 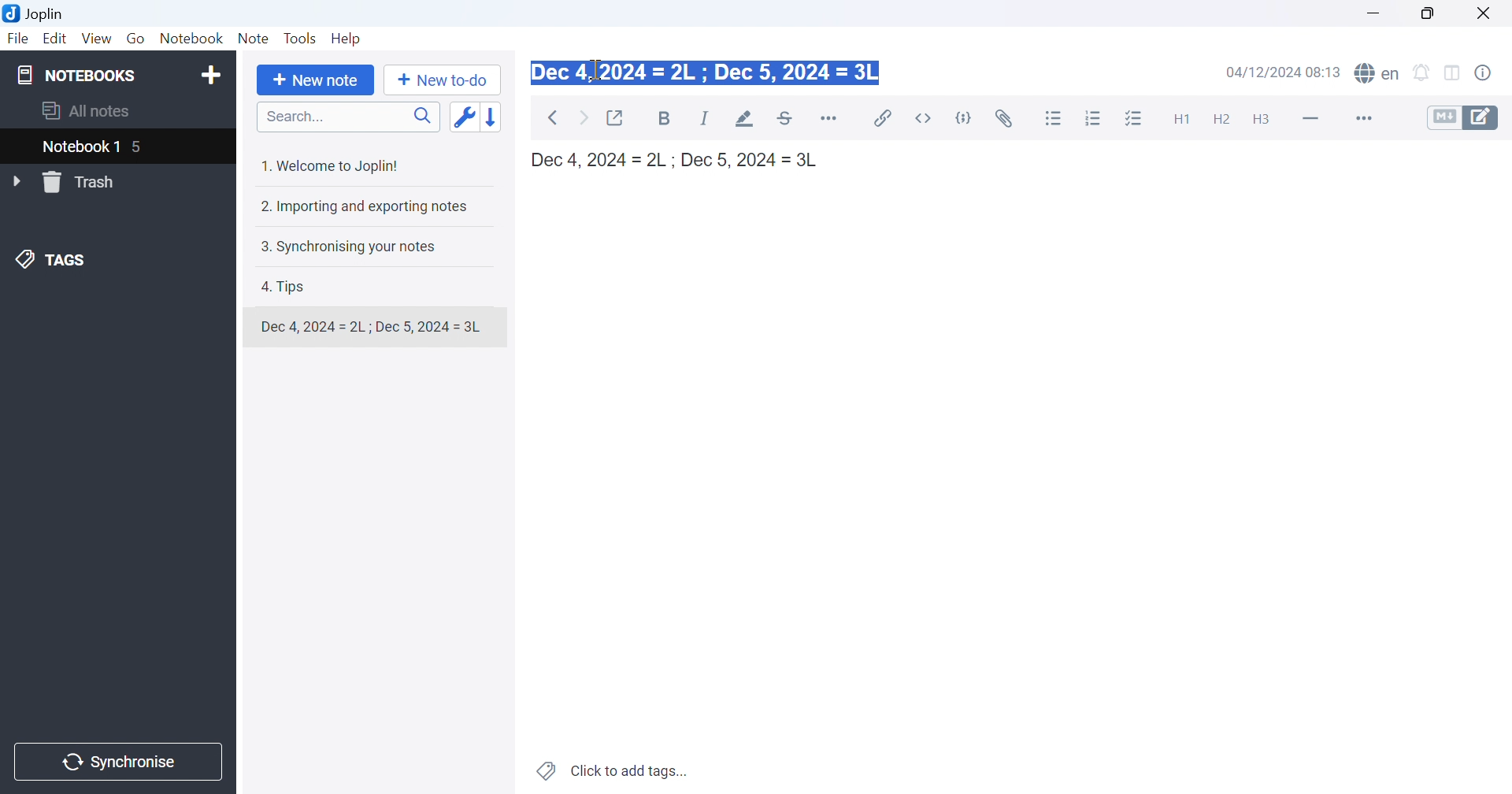 What do you see at coordinates (81, 182) in the screenshot?
I see `Trash` at bounding box center [81, 182].